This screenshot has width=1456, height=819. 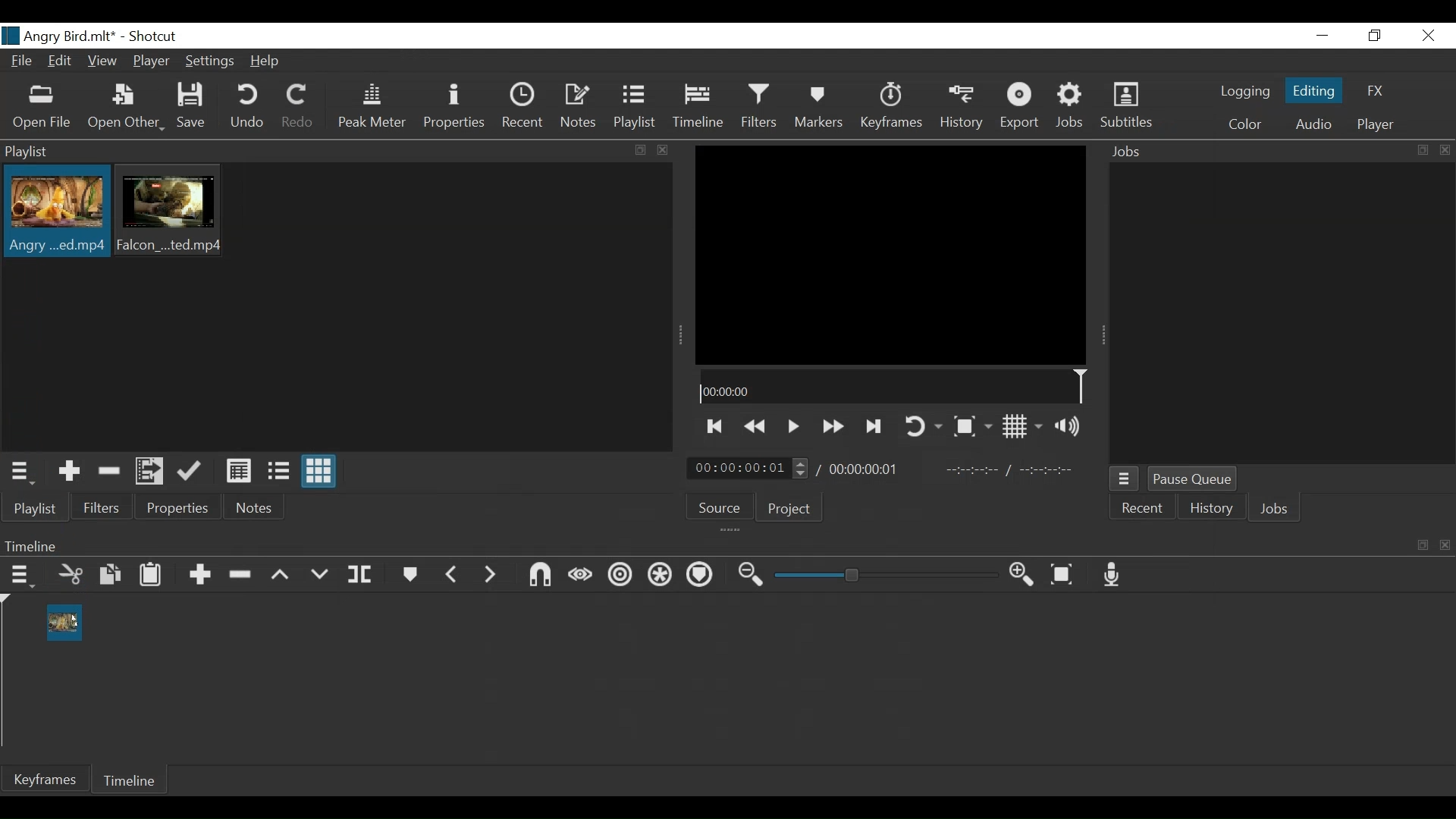 I want to click on Toggle play or pause, so click(x=795, y=426).